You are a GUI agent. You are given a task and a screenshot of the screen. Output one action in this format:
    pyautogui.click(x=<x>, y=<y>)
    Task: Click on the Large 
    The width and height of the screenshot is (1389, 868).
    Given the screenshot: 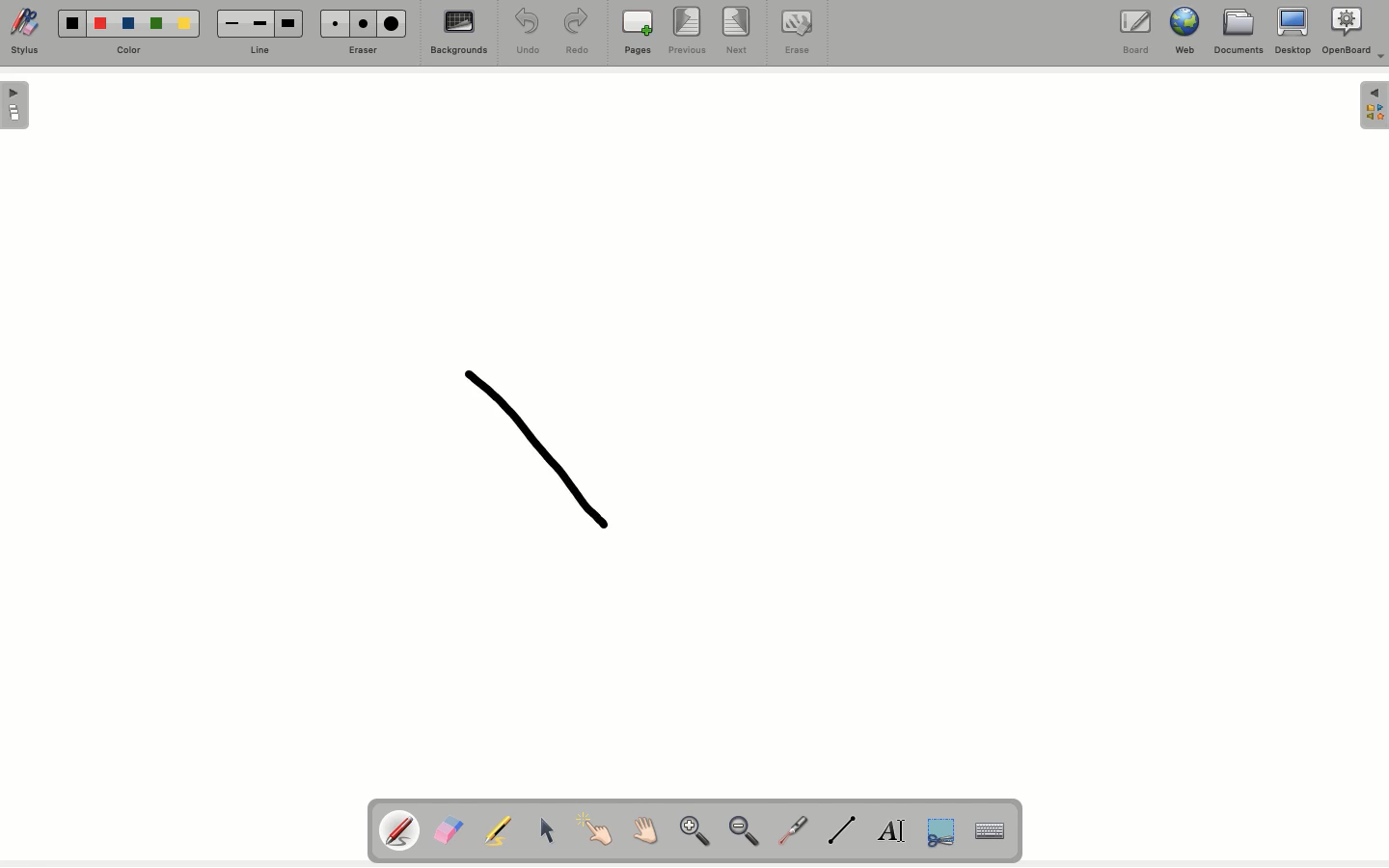 What is the action you would take?
    pyautogui.click(x=395, y=23)
    